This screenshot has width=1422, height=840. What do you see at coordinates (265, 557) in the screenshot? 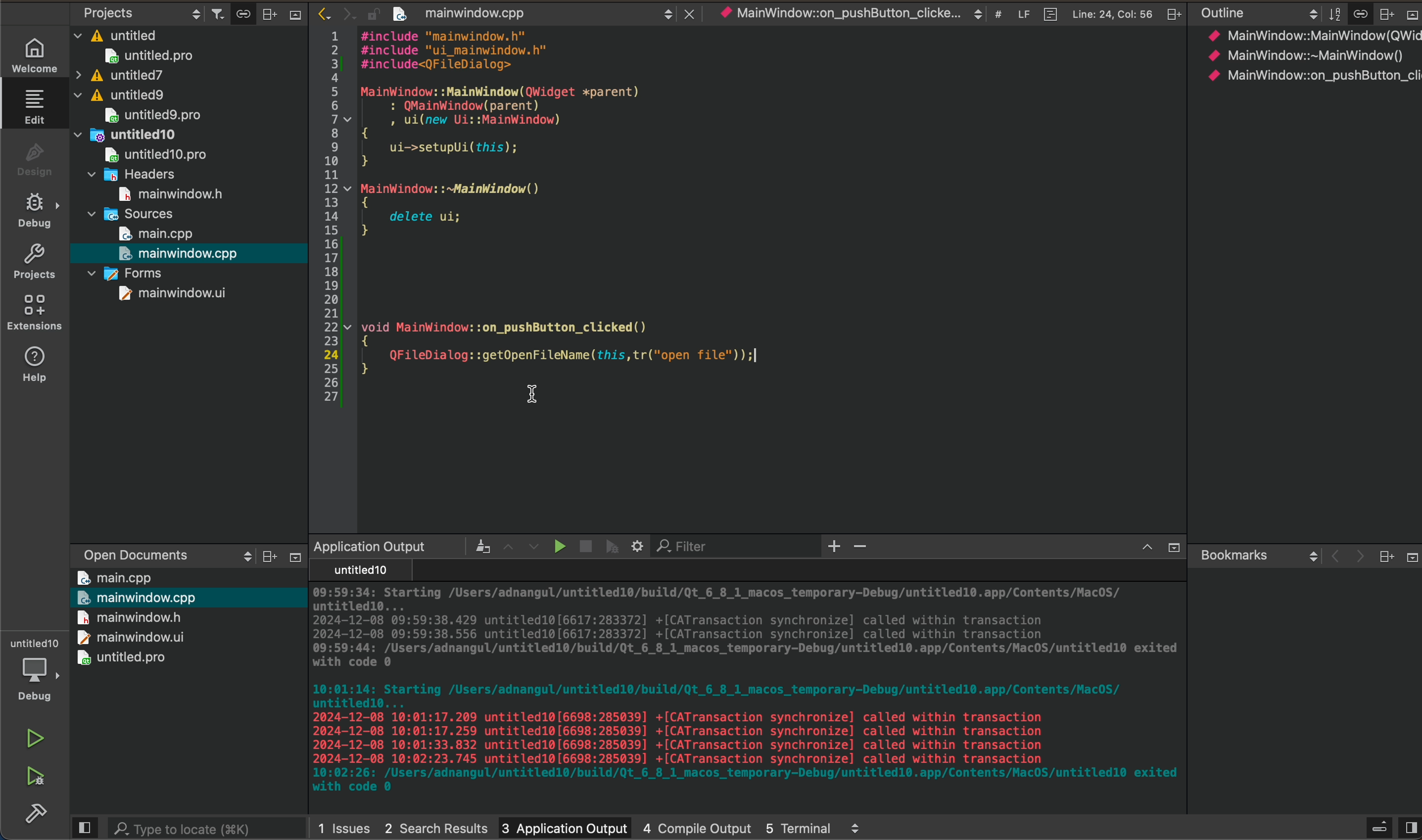
I see `` at bounding box center [265, 557].